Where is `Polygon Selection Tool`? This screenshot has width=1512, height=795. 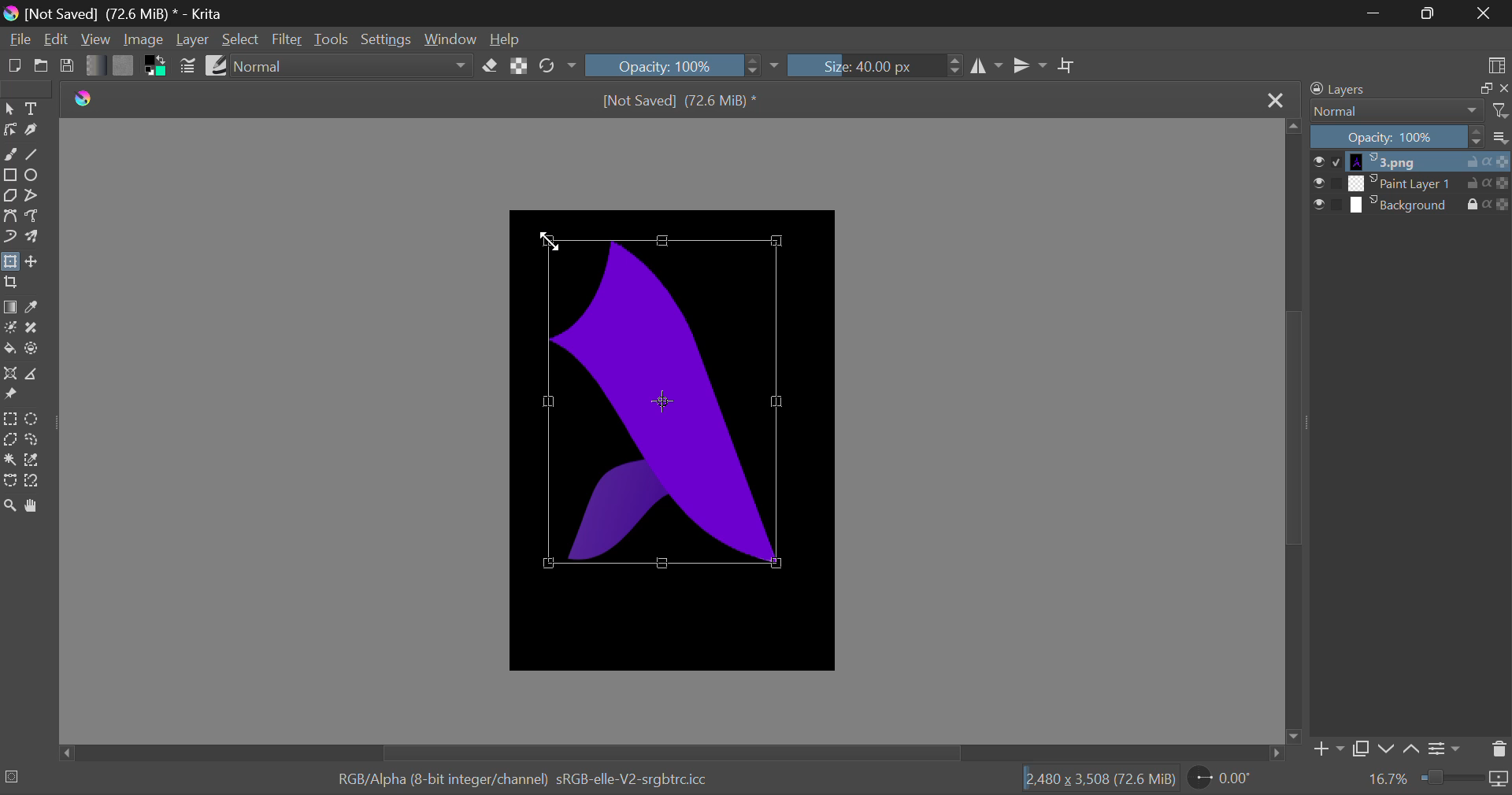 Polygon Selection Tool is located at coordinates (9, 441).